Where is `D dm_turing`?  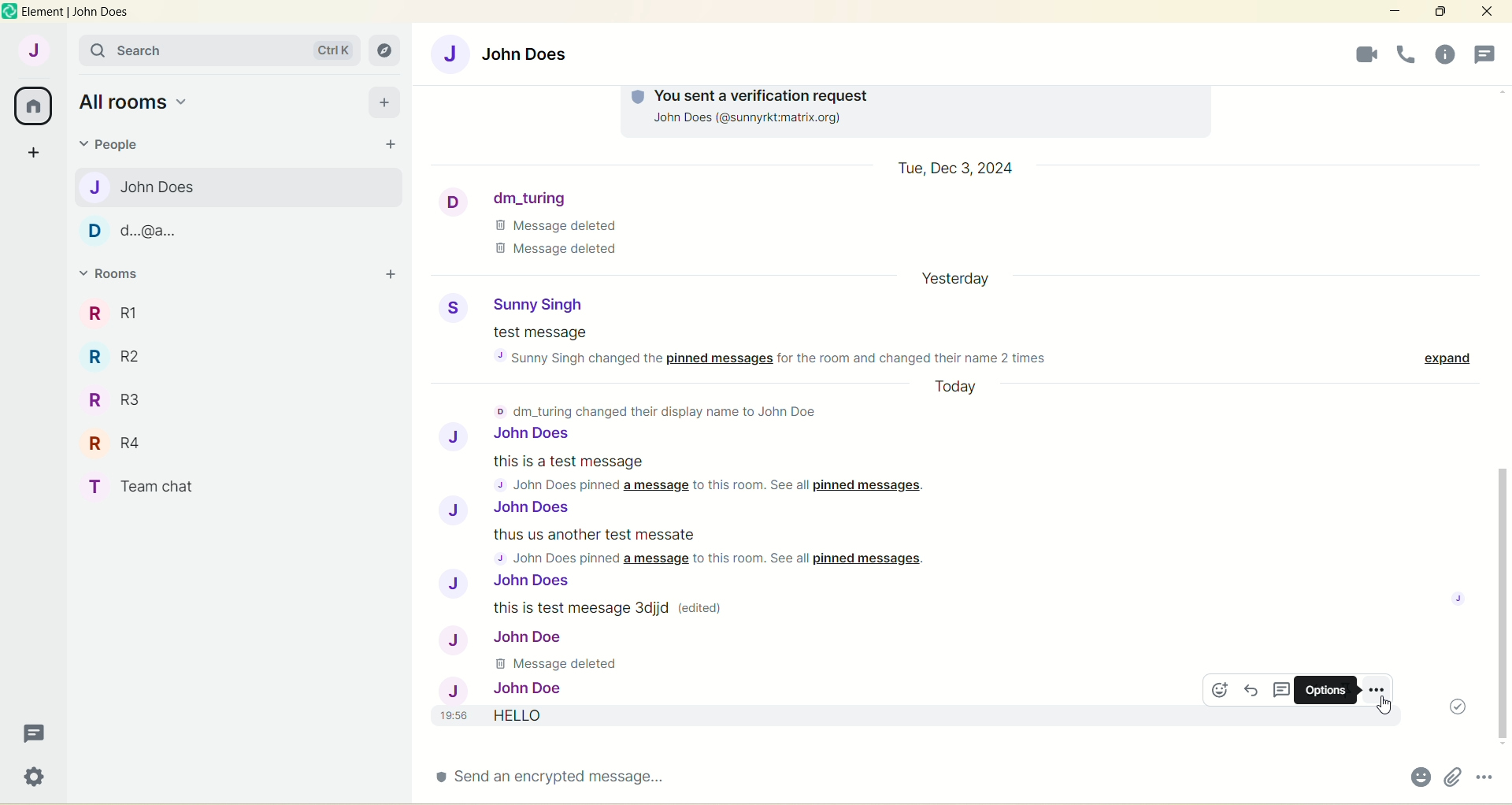 D dm_turing is located at coordinates (559, 197).